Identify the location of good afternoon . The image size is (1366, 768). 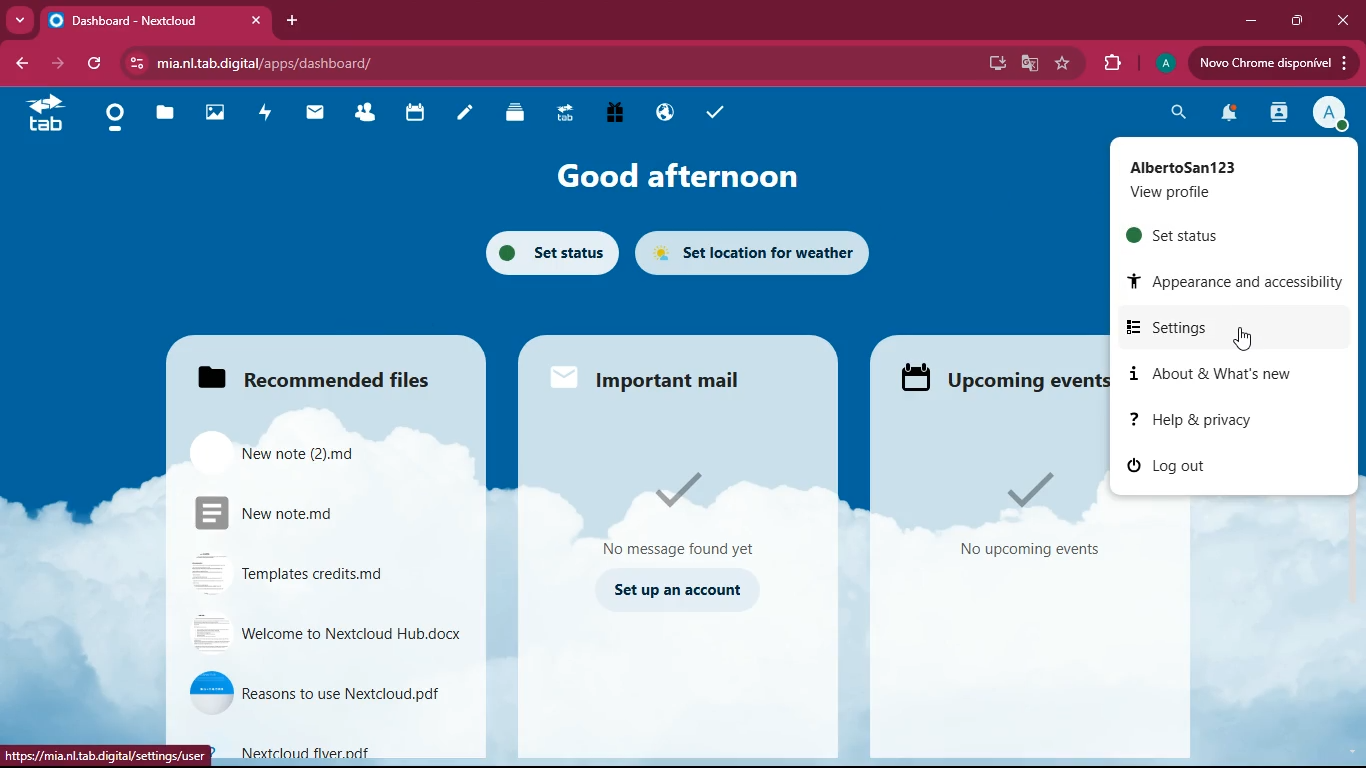
(675, 173).